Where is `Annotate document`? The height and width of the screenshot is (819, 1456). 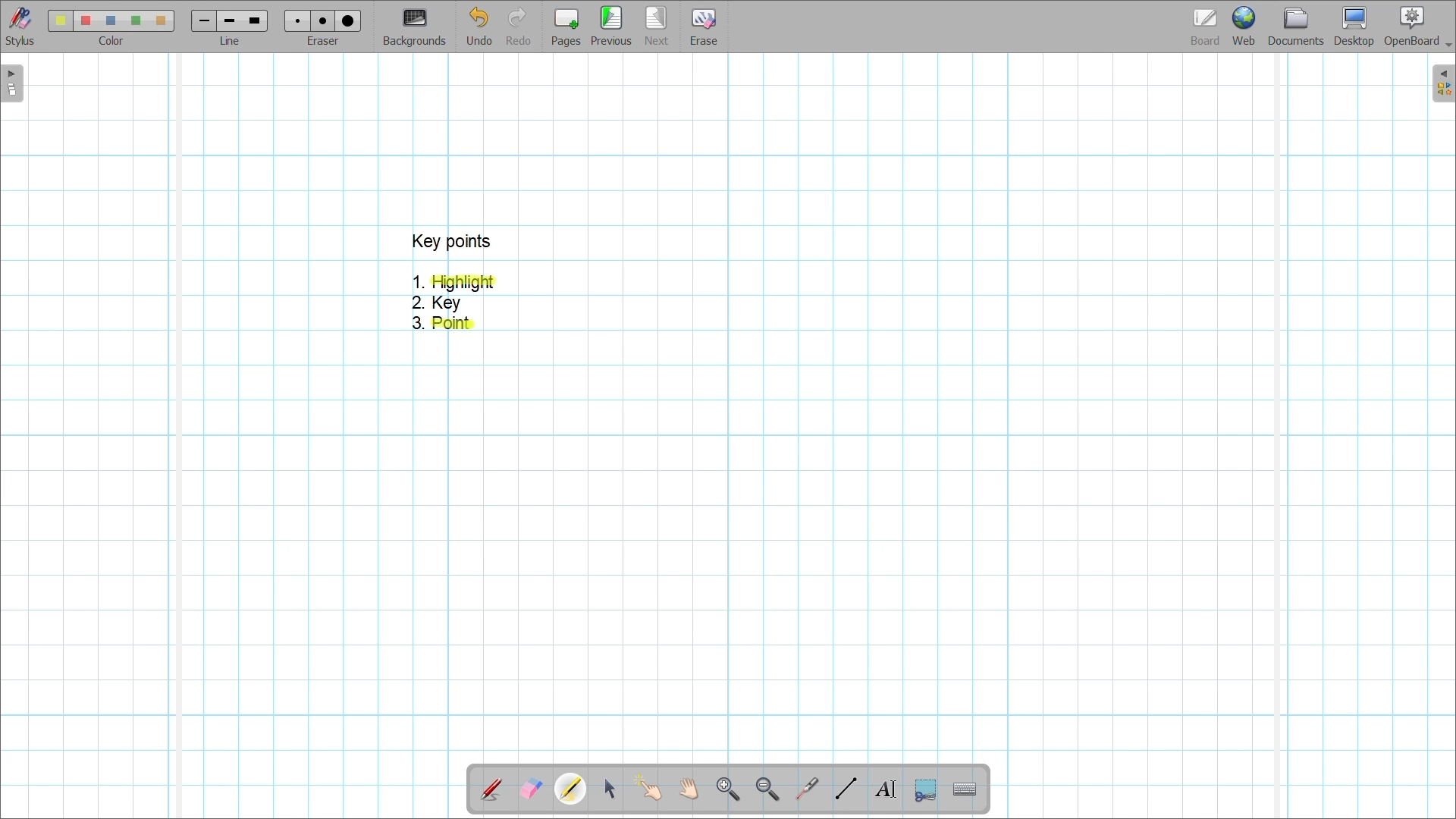
Annotate document is located at coordinates (491, 790).